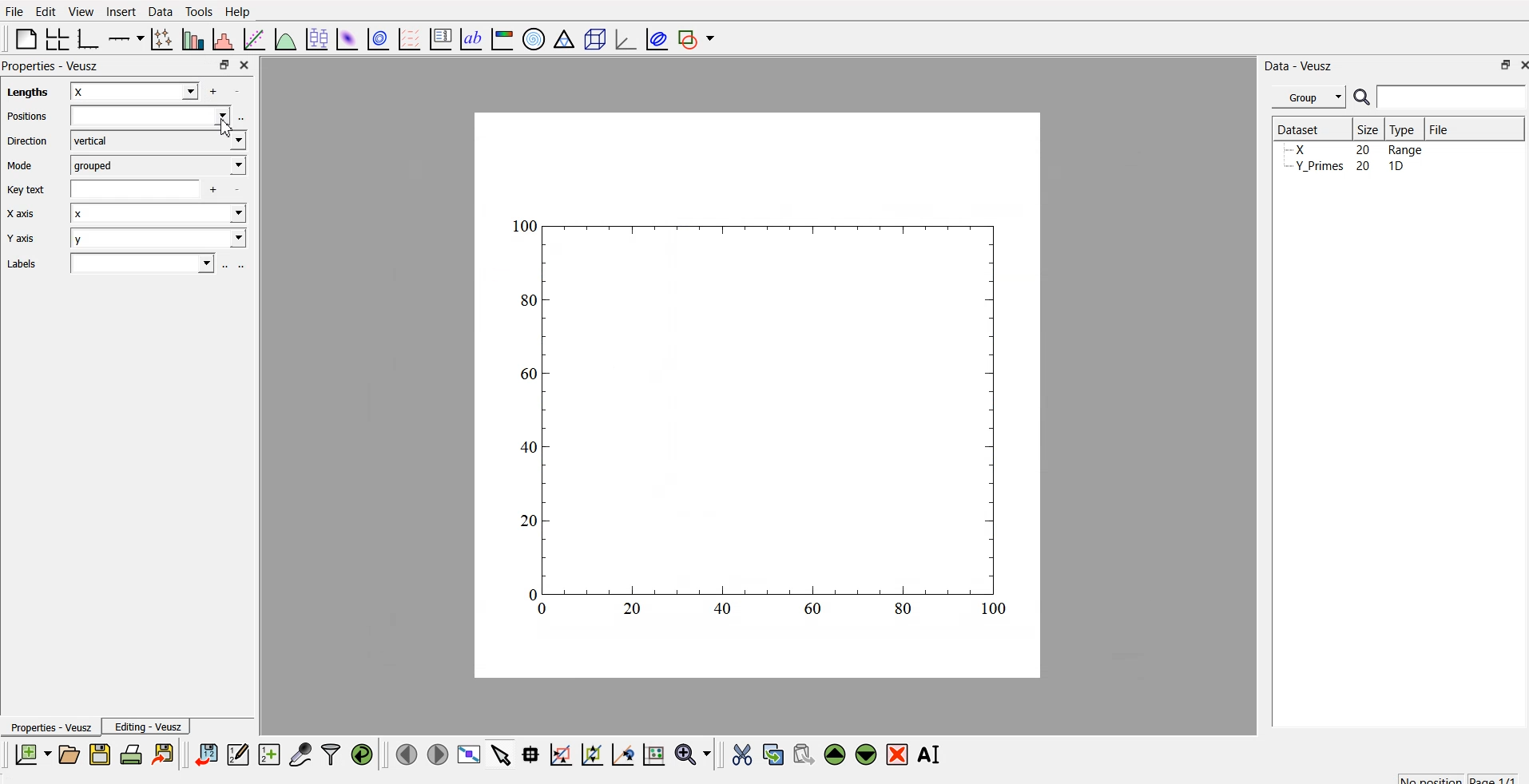  What do you see at coordinates (1352, 168) in the screenshot?
I see `y planes... 20 10` at bounding box center [1352, 168].